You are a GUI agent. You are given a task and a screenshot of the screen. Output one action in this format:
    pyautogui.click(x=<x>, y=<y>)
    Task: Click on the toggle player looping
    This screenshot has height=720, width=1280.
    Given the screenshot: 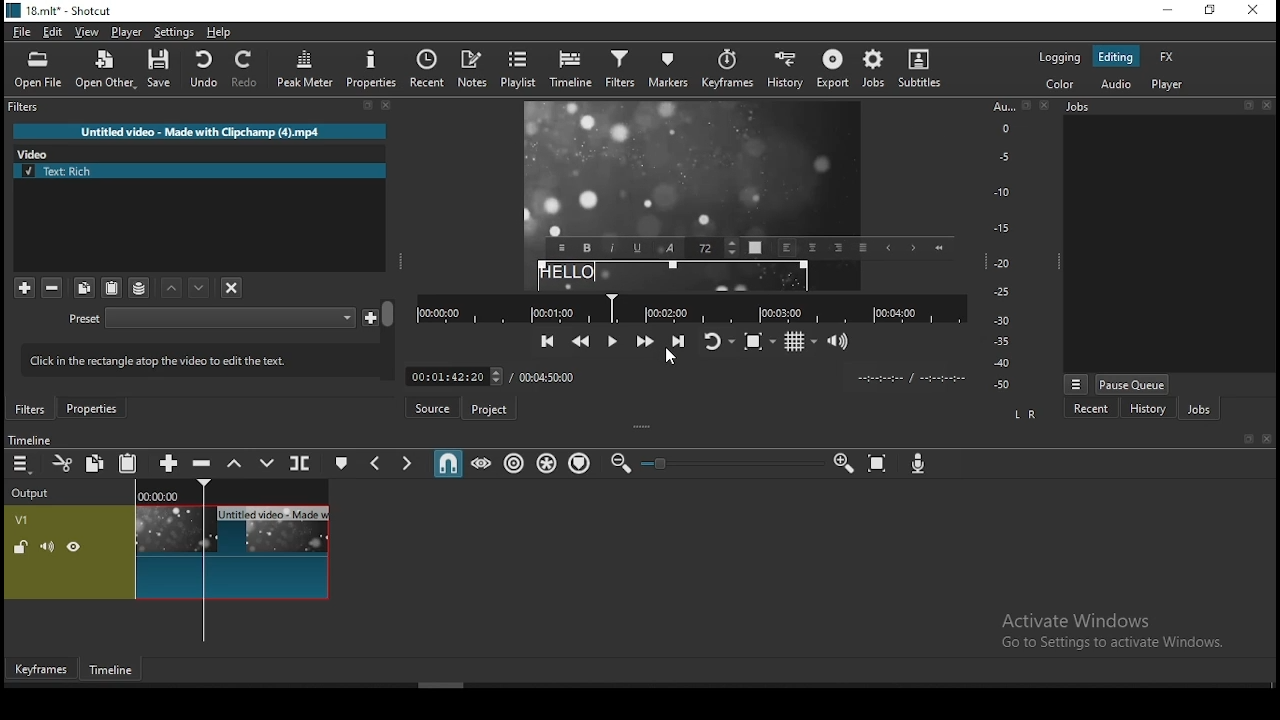 What is the action you would take?
    pyautogui.click(x=721, y=341)
    